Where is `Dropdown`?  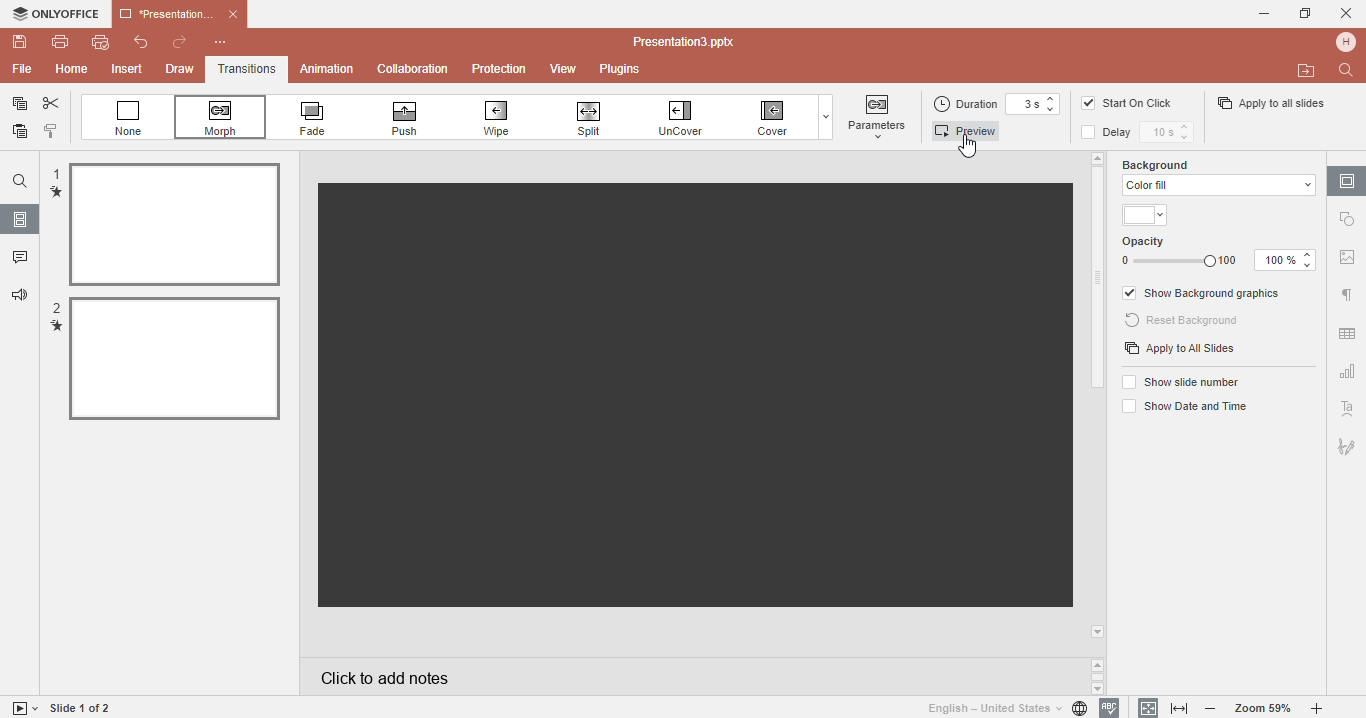 Dropdown is located at coordinates (823, 117).